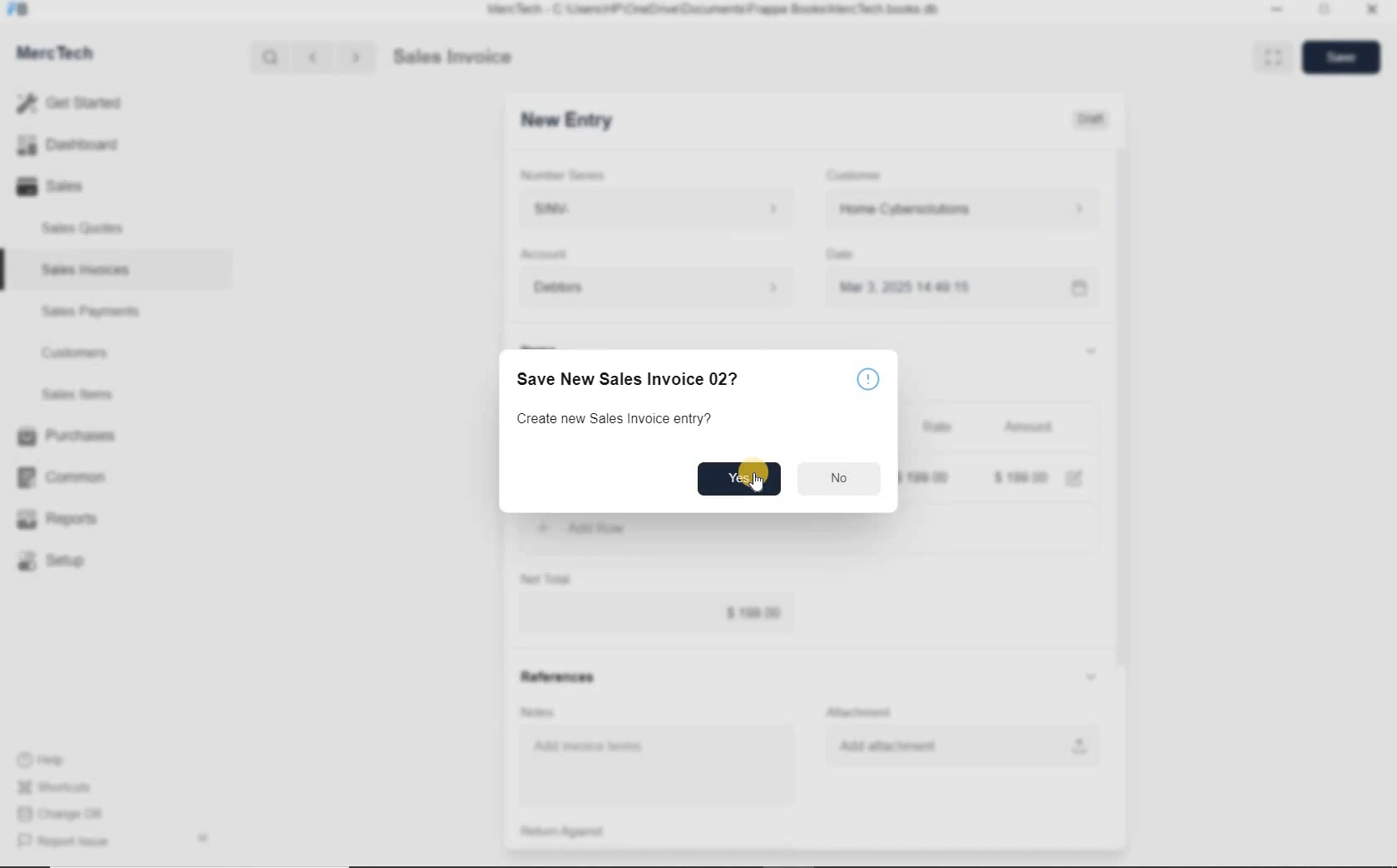  Describe the element at coordinates (546, 579) in the screenshot. I see `Net Total` at that location.